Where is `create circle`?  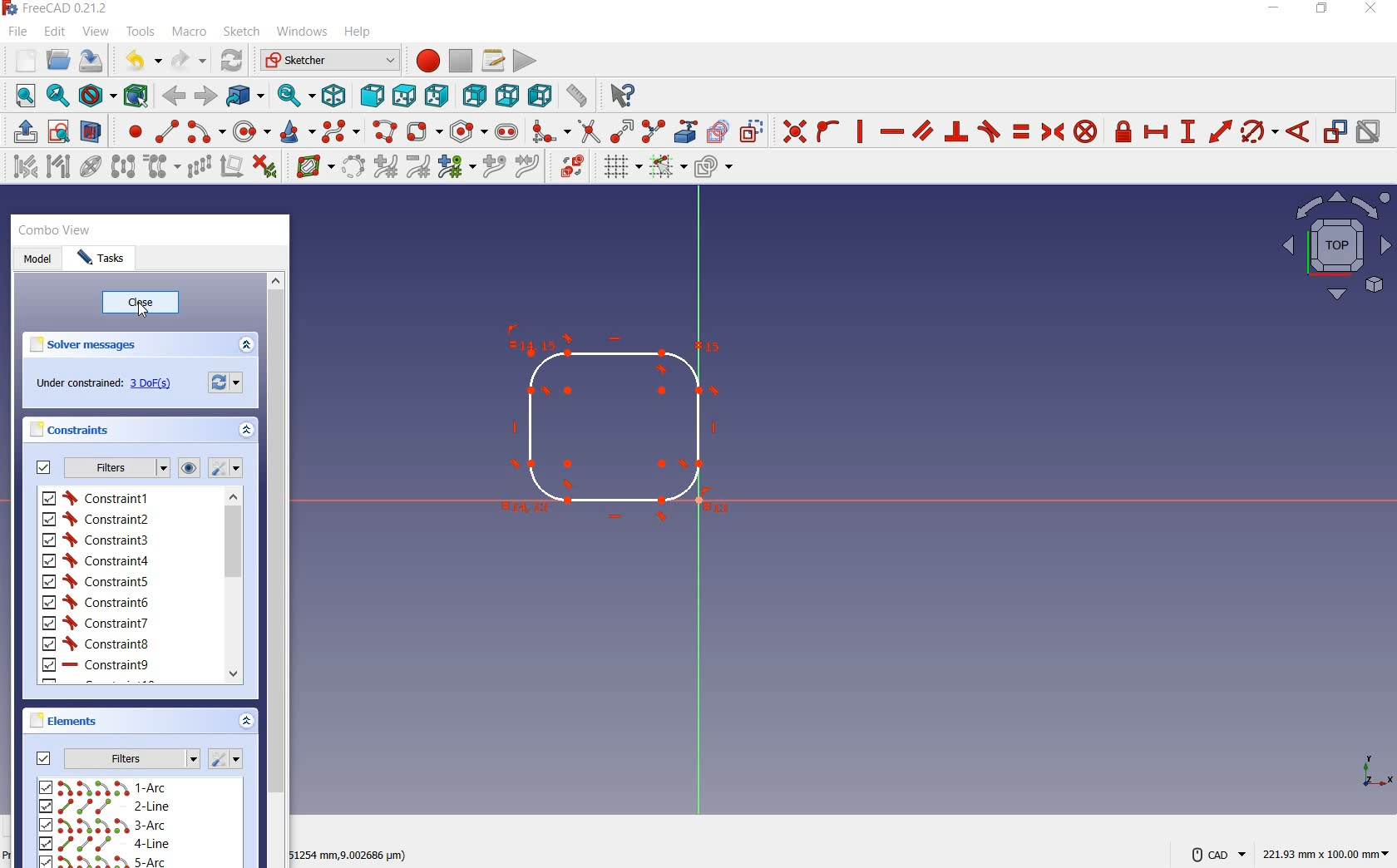 create circle is located at coordinates (252, 131).